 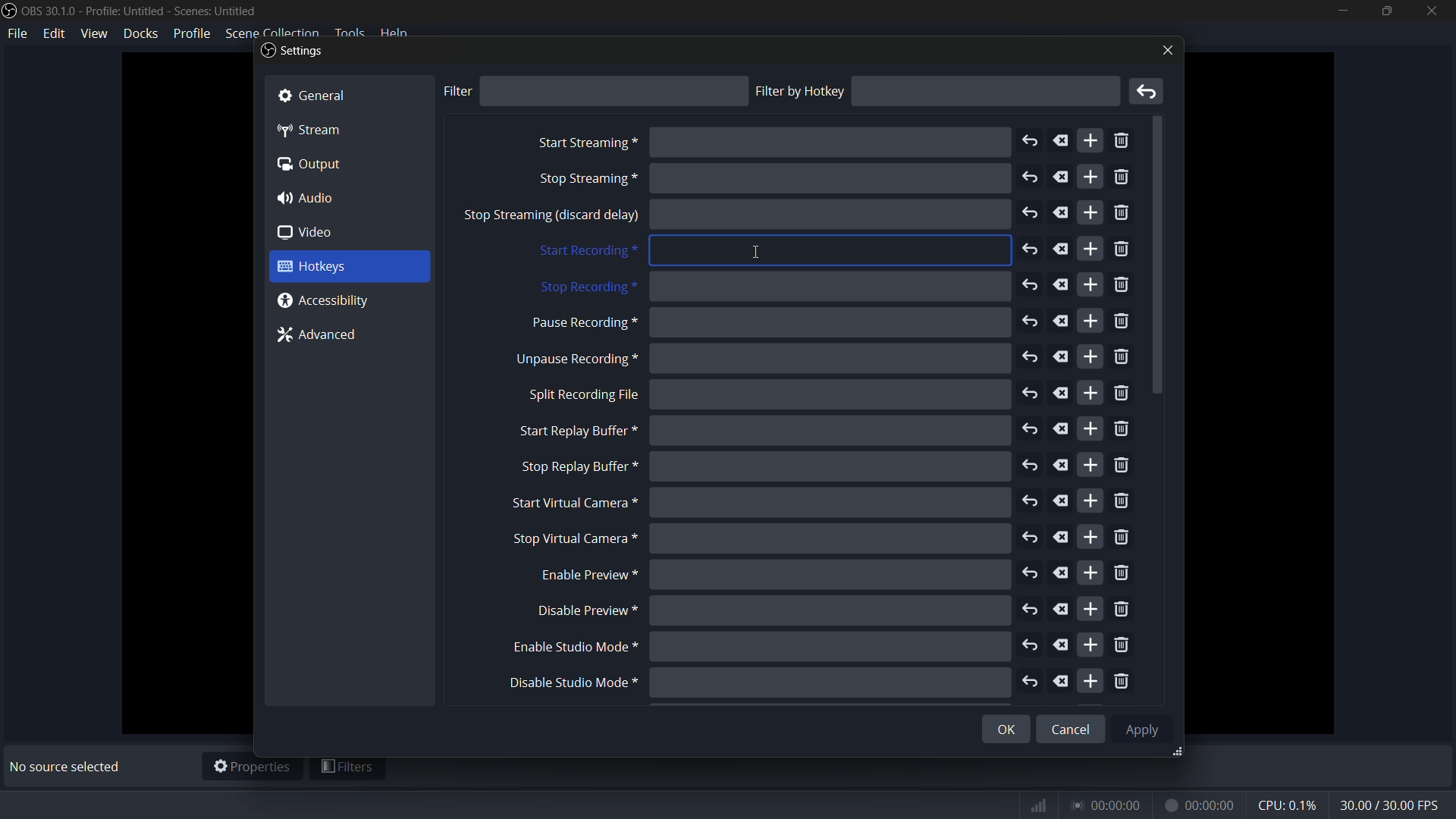 I want to click on properties, so click(x=252, y=767).